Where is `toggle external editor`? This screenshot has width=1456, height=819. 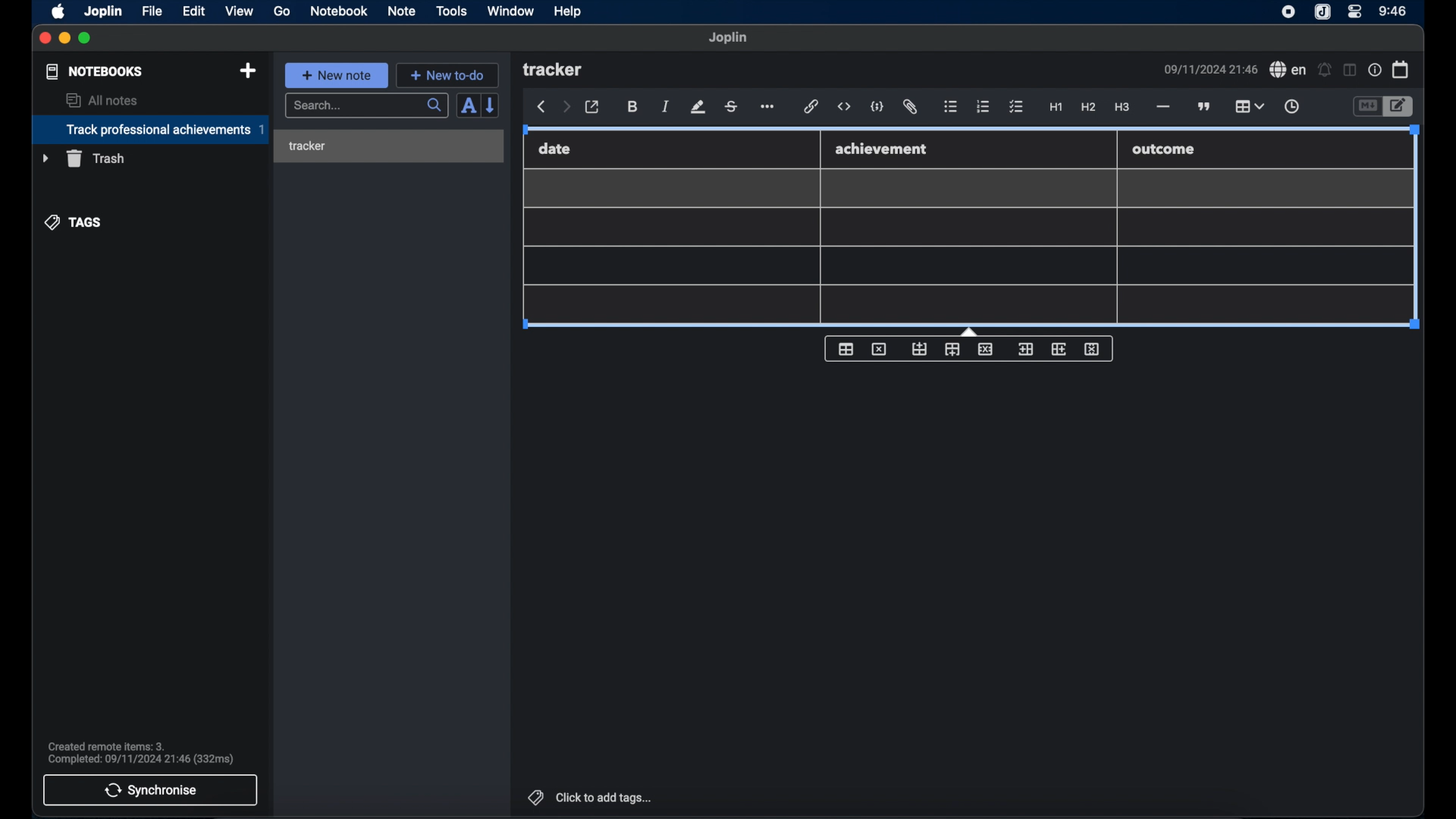 toggle external editor is located at coordinates (592, 107).